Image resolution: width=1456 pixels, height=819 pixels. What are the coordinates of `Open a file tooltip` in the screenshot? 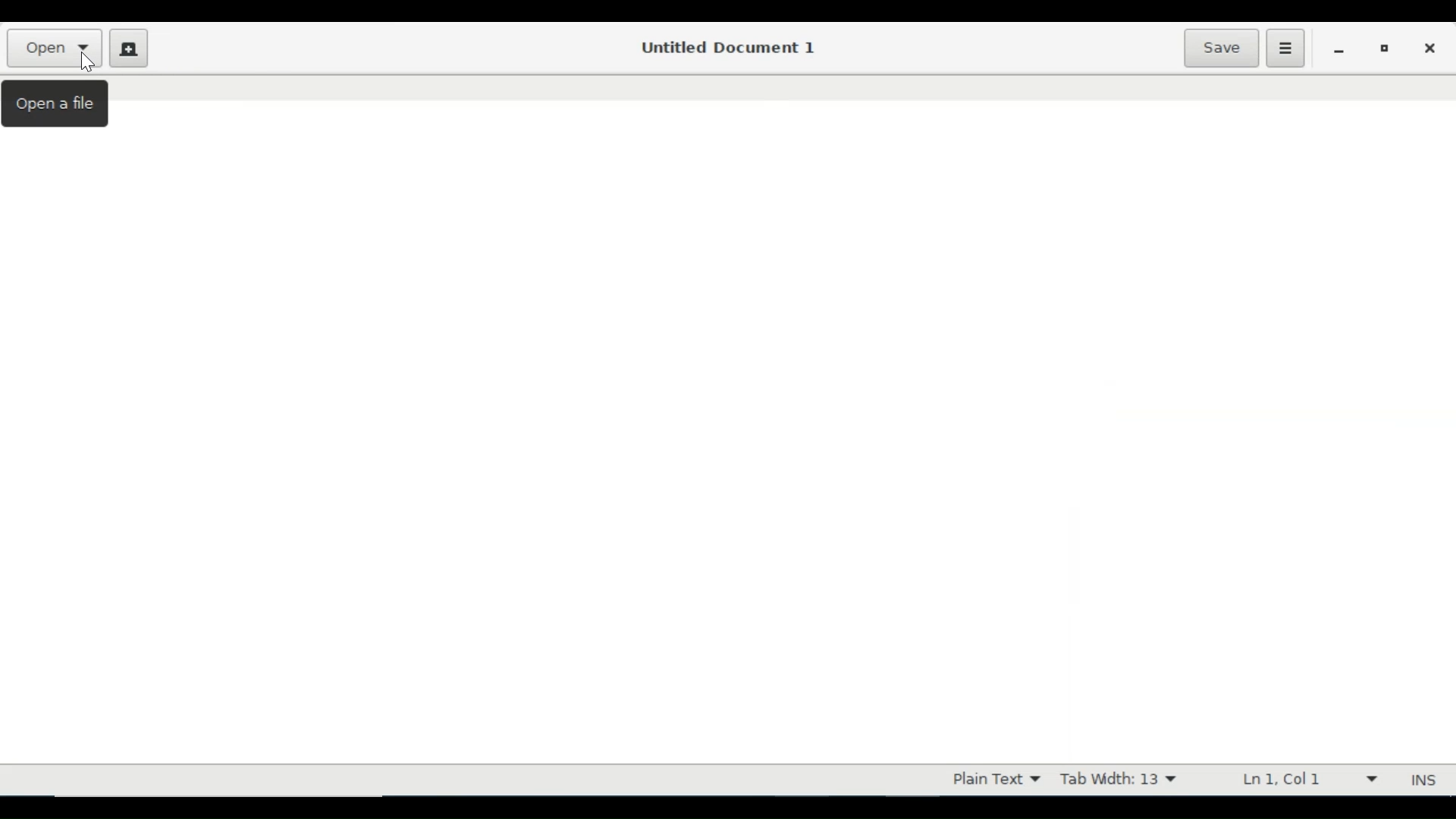 It's located at (55, 104).